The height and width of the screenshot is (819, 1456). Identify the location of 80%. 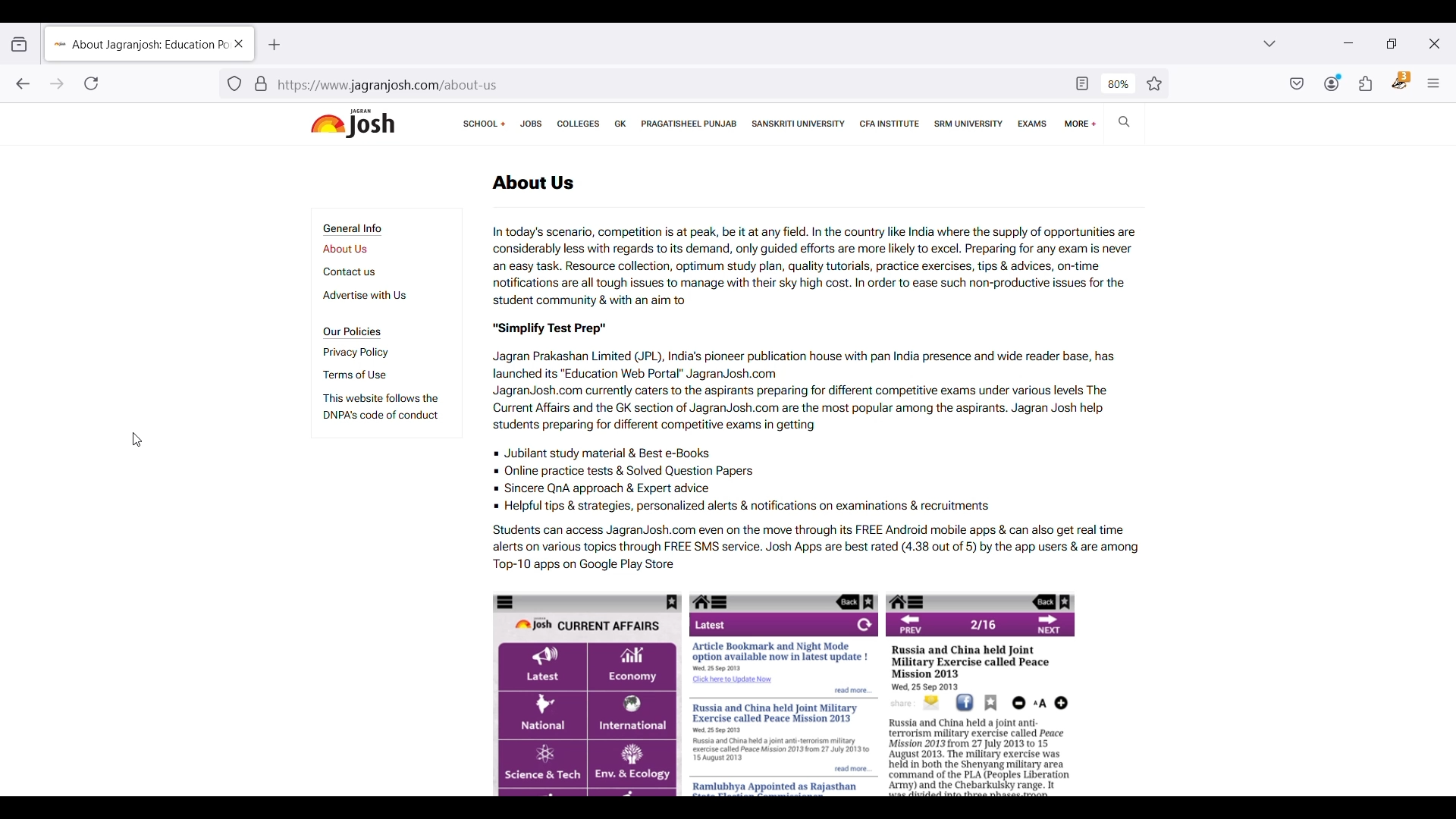
(1119, 84).